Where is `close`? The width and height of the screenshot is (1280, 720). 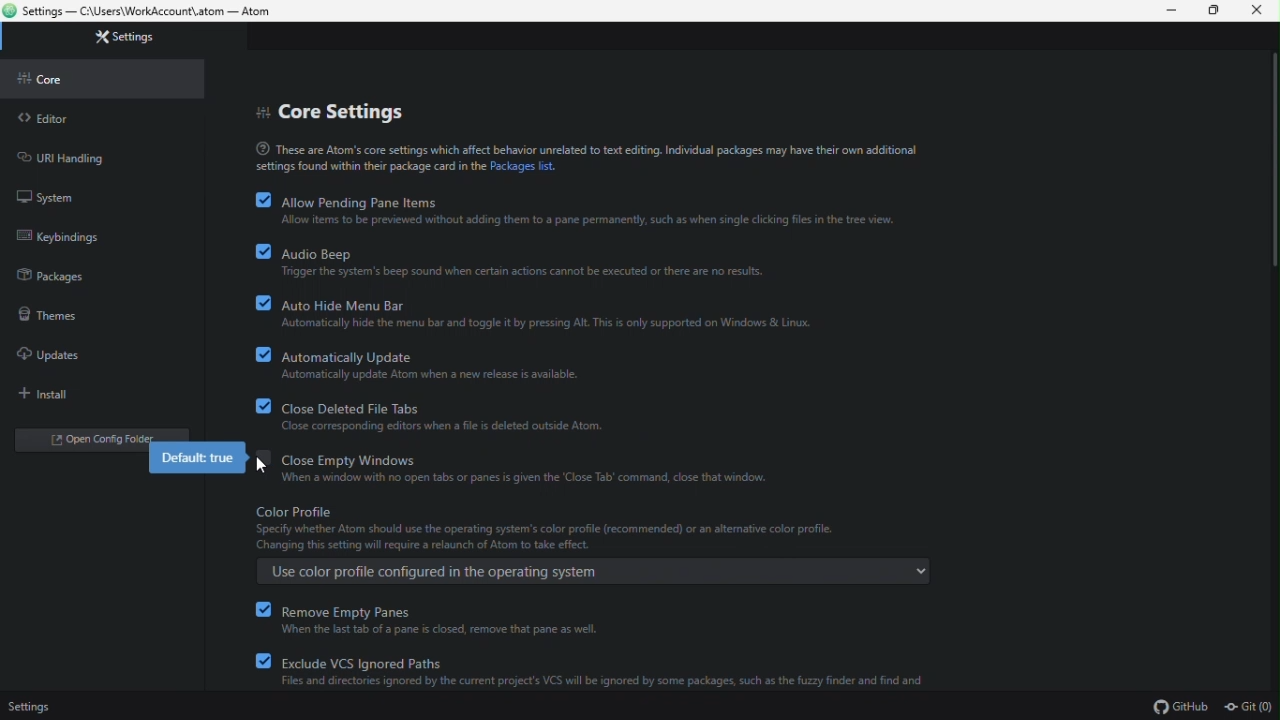 close is located at coordinates (1263, 12).